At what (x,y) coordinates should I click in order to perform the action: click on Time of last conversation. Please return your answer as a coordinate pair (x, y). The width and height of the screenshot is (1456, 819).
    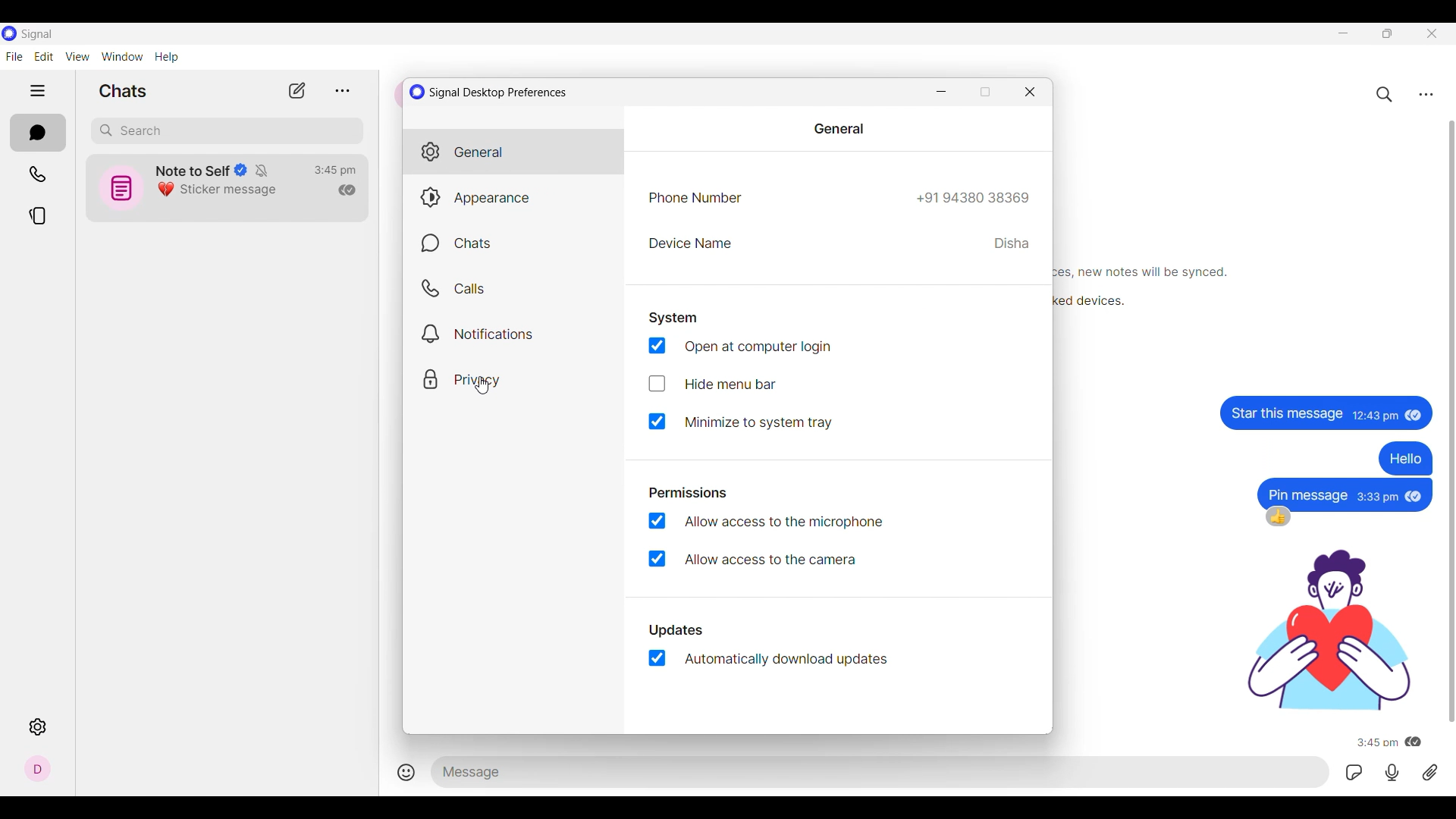
    Looking at the image, I should click on (335, 171).